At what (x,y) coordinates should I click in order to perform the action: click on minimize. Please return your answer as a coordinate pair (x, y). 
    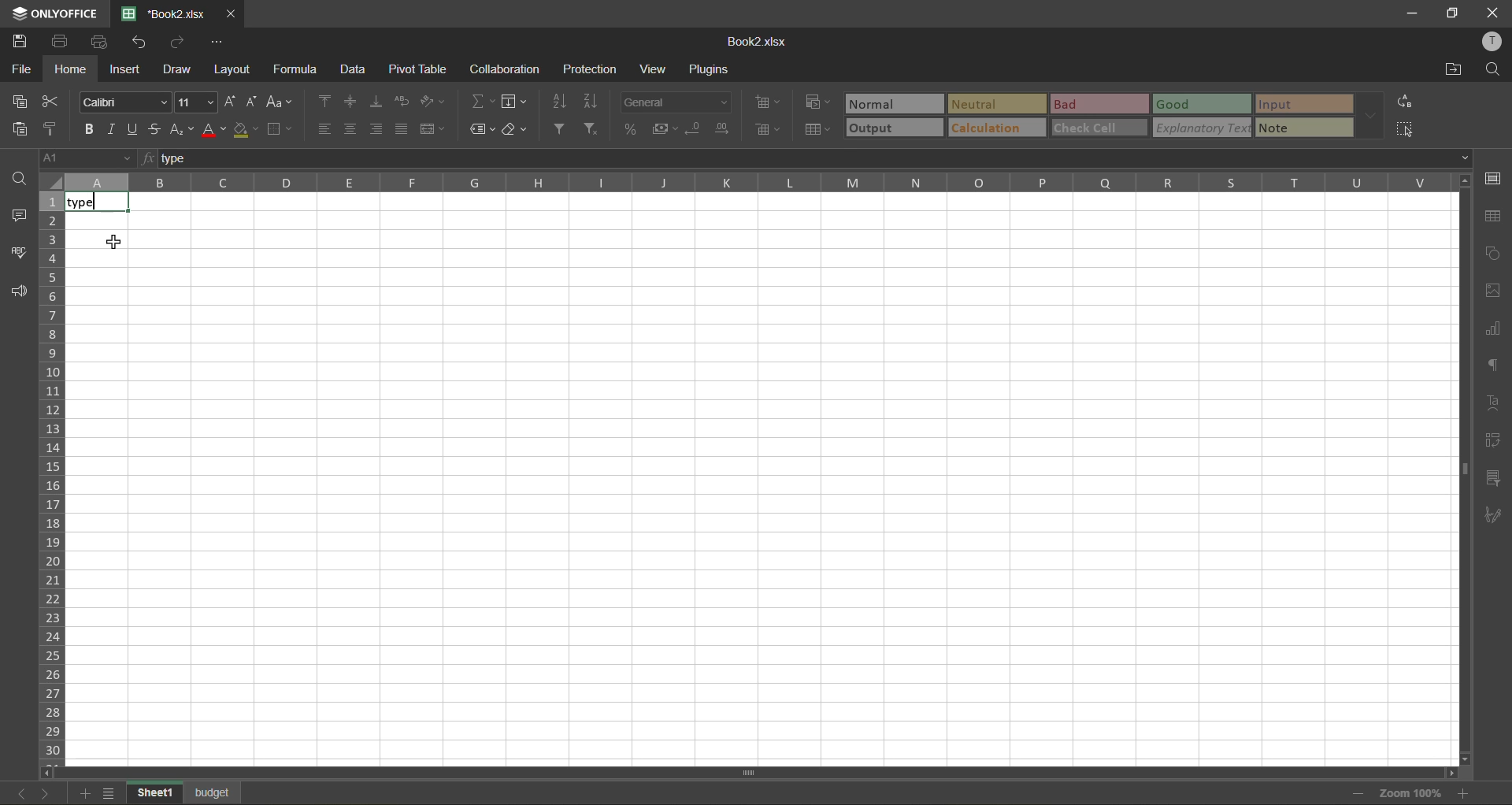
    Looking at the image, I should click on (1410, 14).